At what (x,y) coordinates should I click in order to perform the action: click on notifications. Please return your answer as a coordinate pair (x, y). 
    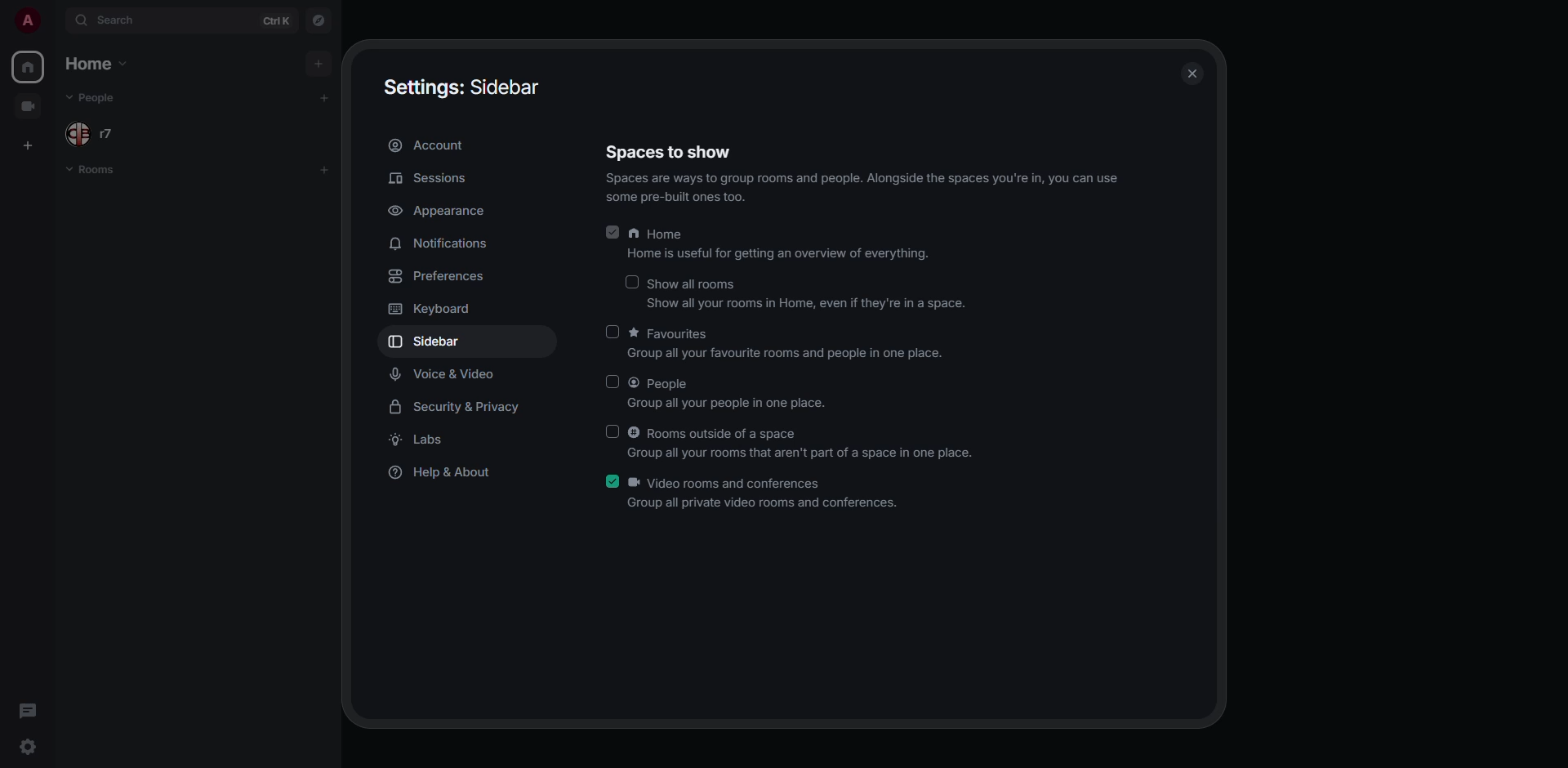
    Looking at the image, I should click on (436, 243).